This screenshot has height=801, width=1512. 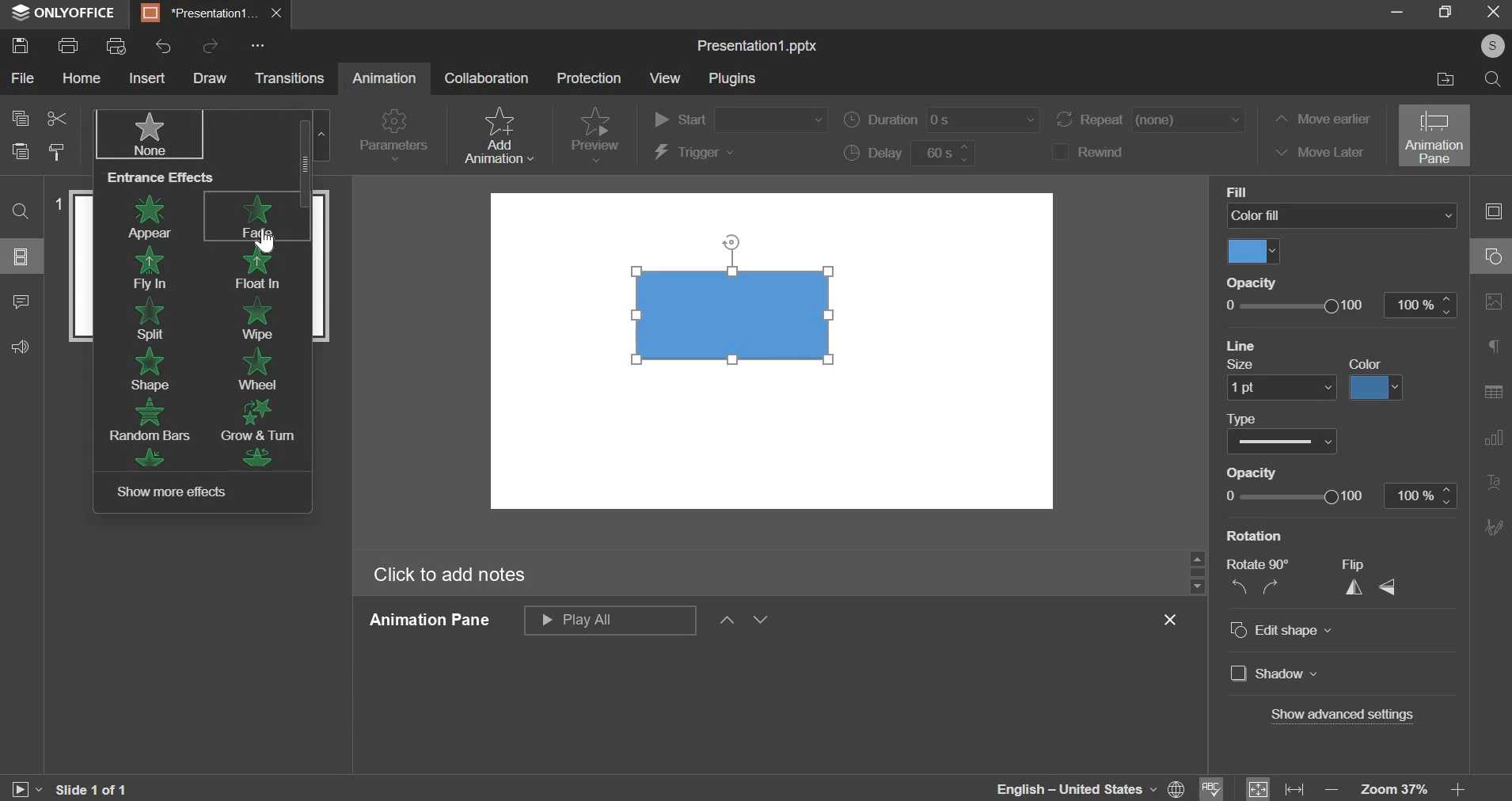 What do you see at coordinates (257, 216) in the screenshot?
I see `fade` at bounding box center [257, 216].